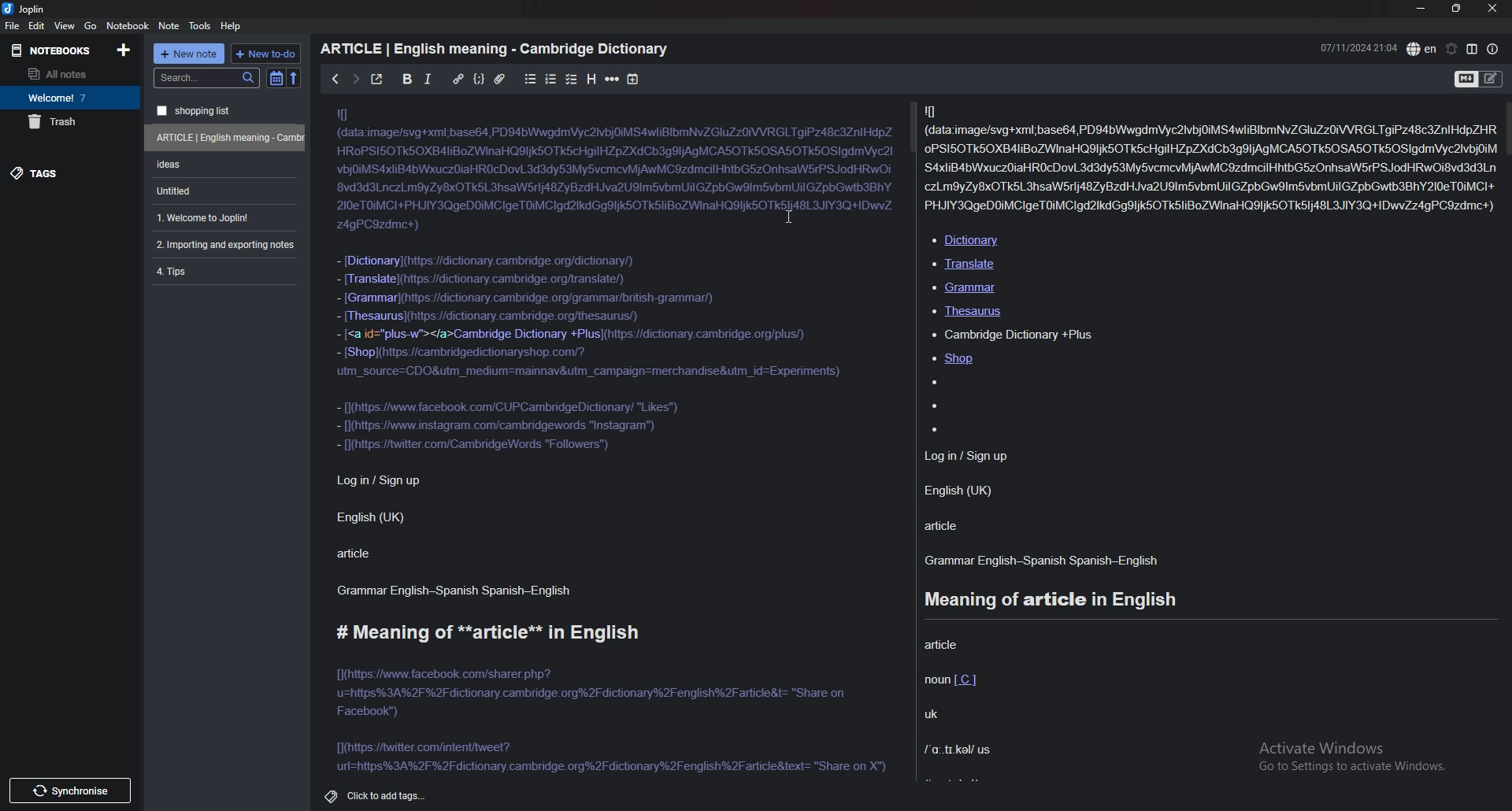 The height and width of the screenshot is (811, 1512). I want to click on title, so click(497, 47).